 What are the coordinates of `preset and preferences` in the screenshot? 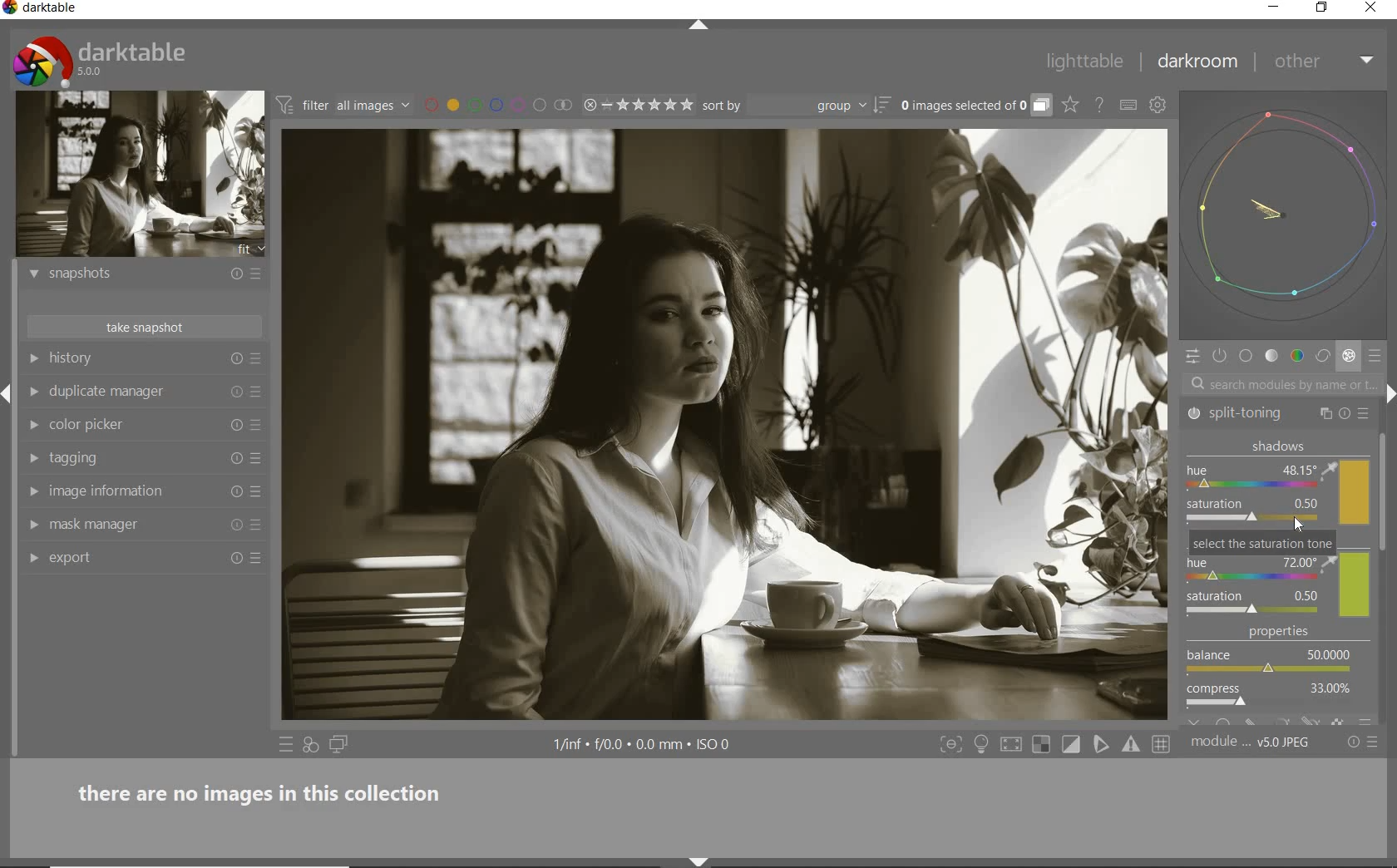 It's located at (260, 426).